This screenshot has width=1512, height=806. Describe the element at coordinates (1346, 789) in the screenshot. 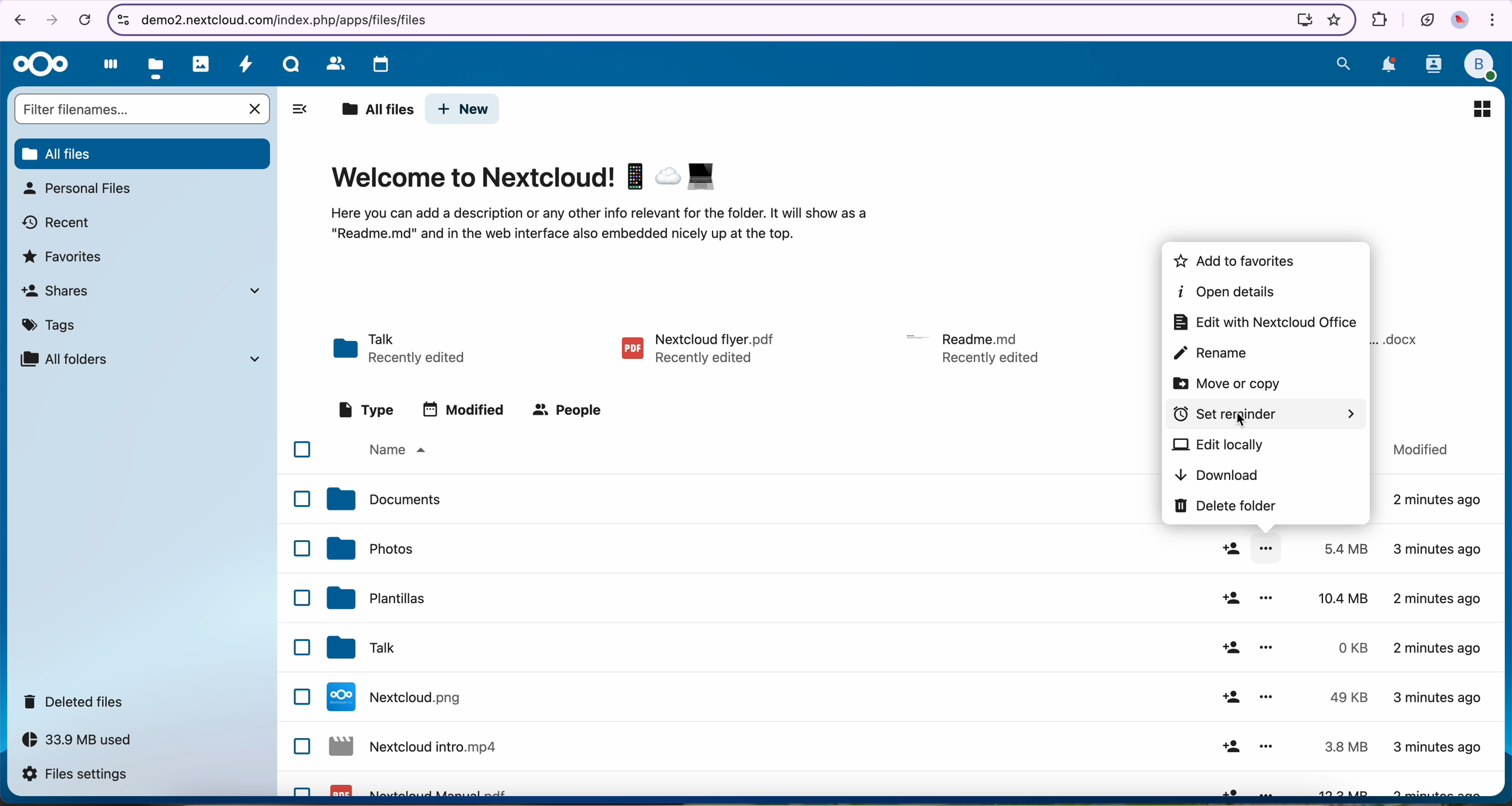

I see `13.3` at that location.